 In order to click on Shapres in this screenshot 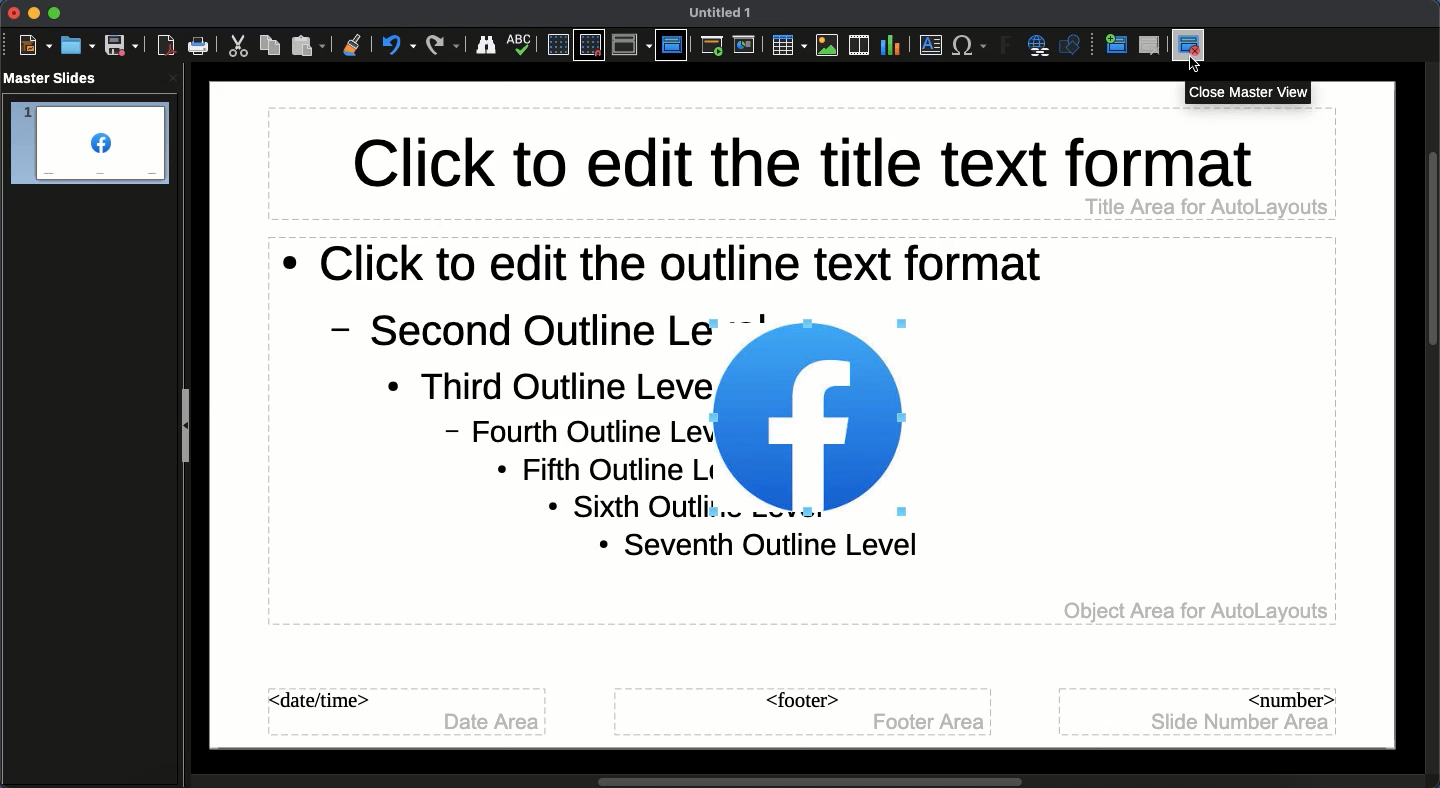, I will do `click(1074, 45)`.